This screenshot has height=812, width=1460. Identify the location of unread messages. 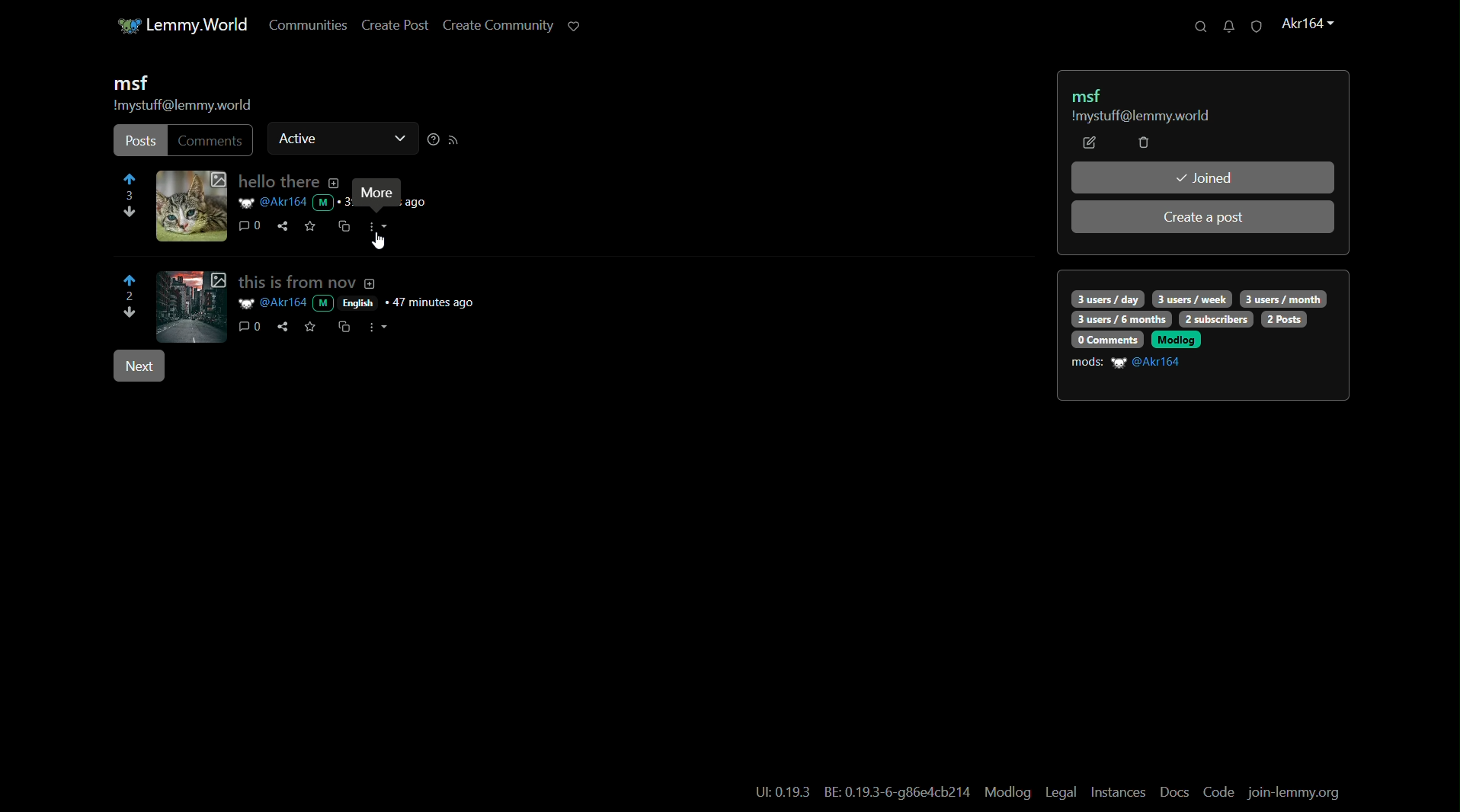
(1225, 26).